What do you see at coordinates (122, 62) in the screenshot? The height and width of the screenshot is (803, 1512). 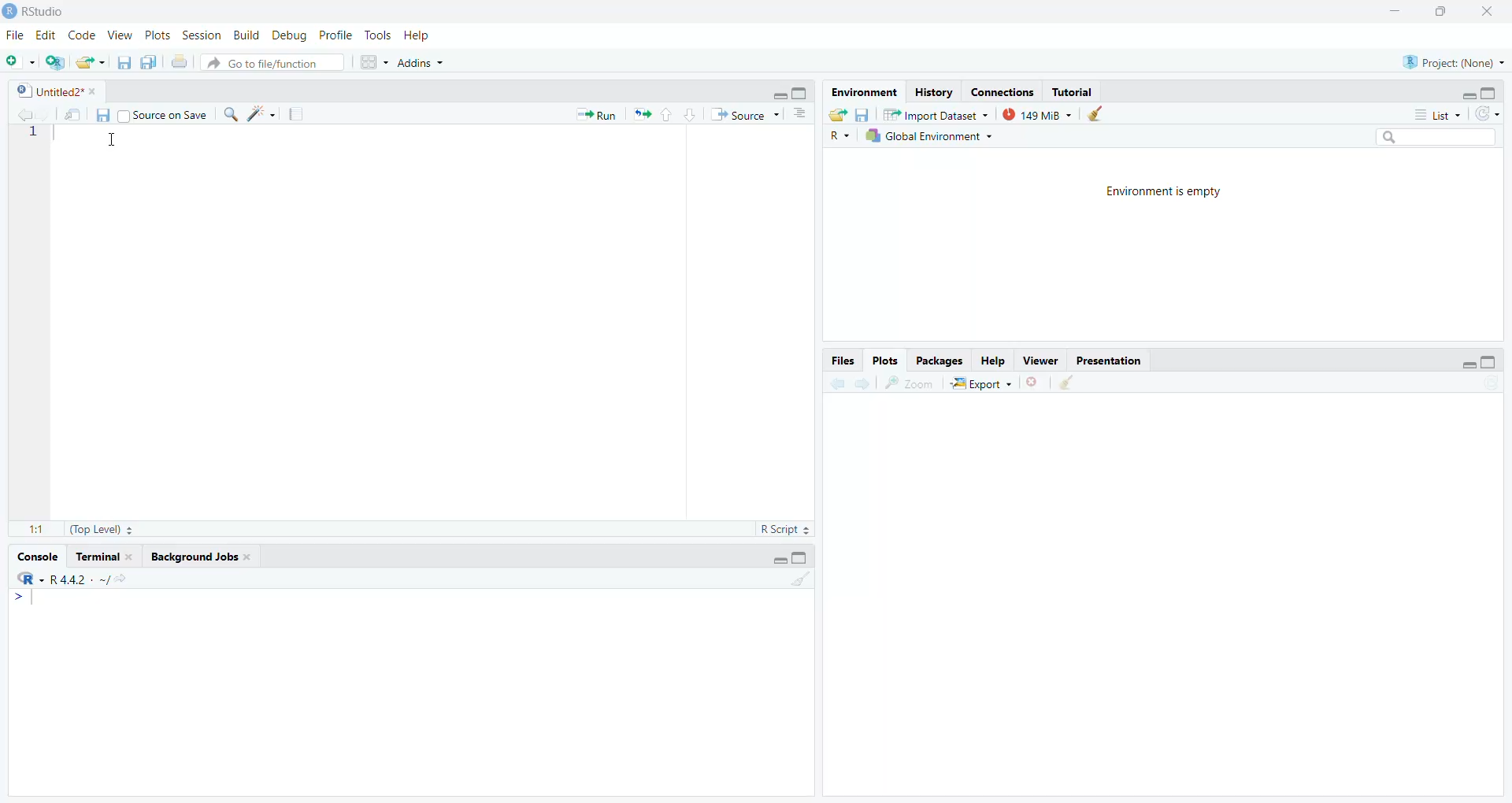 I see `Save current document (Ctrl + S)` at bounding box center [122, 62].